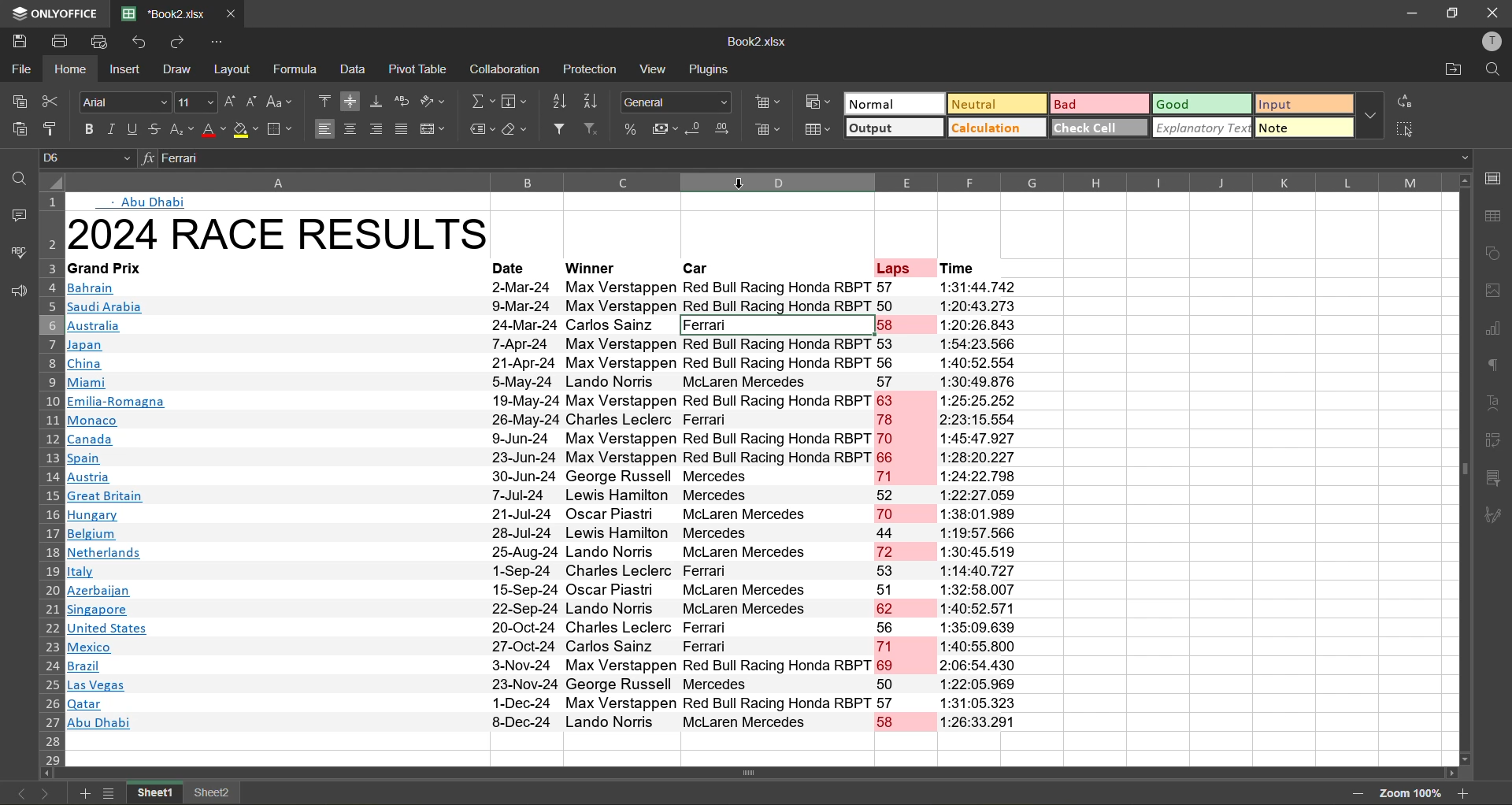  What do you see at coordinates (298, 69) in the screenshot?
I see `formula` at bounding box center [298, 69].